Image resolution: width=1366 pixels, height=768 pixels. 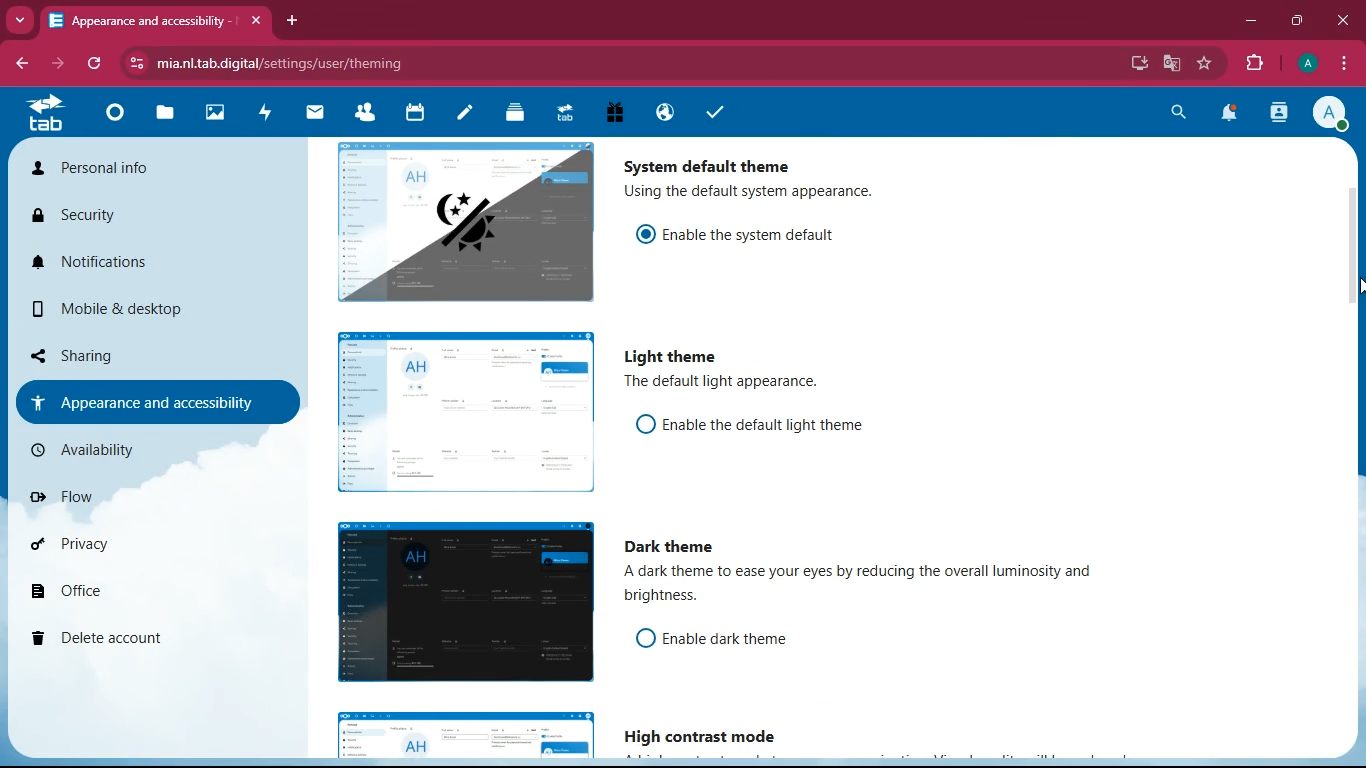 What do you see at coordinates (773, 426) in the screenshot?
I see `enable` at bounding box center [773, 426].